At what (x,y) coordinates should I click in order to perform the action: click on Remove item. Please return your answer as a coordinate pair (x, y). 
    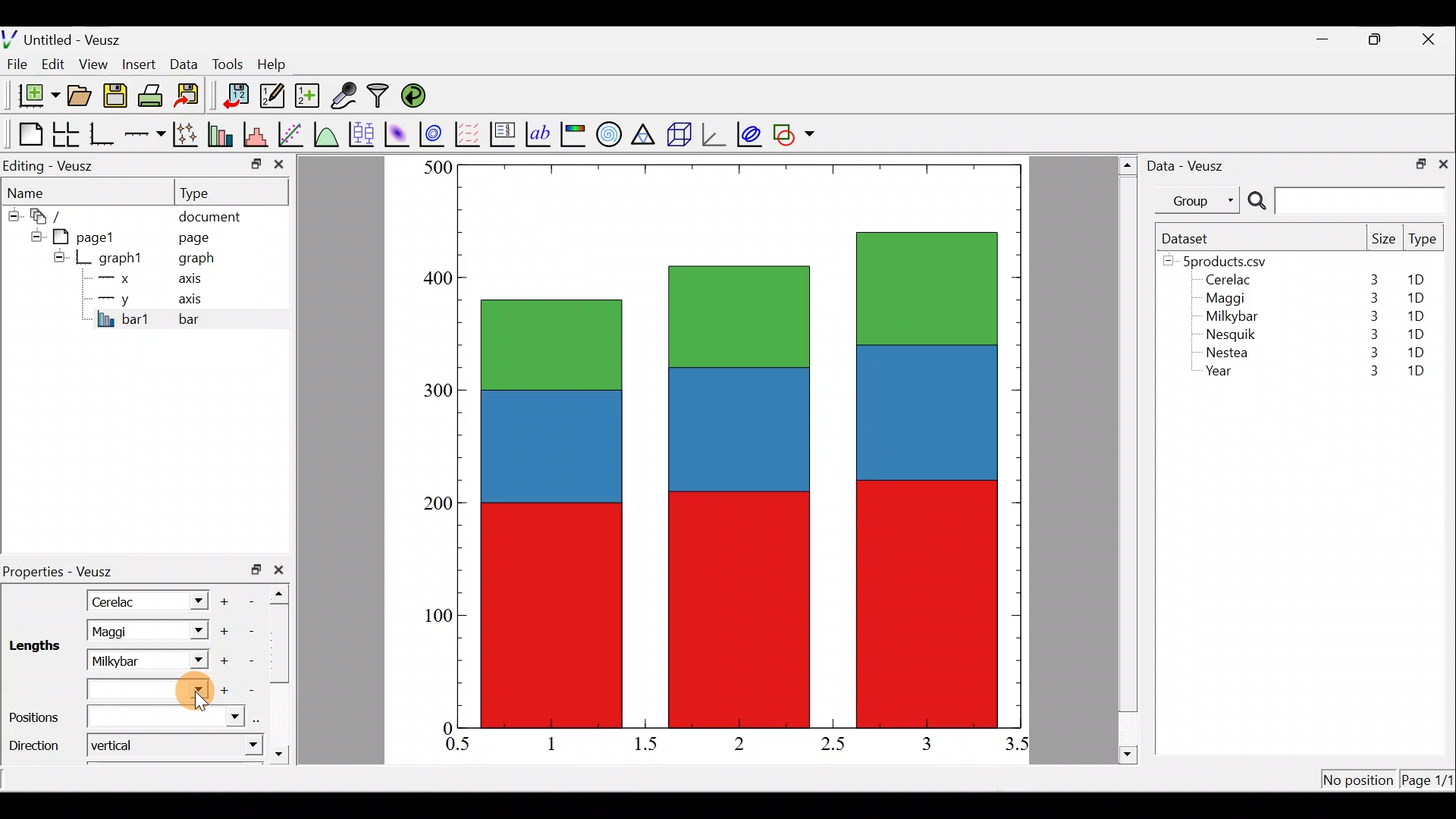
    Looking at the image, I should click on (252, 660).